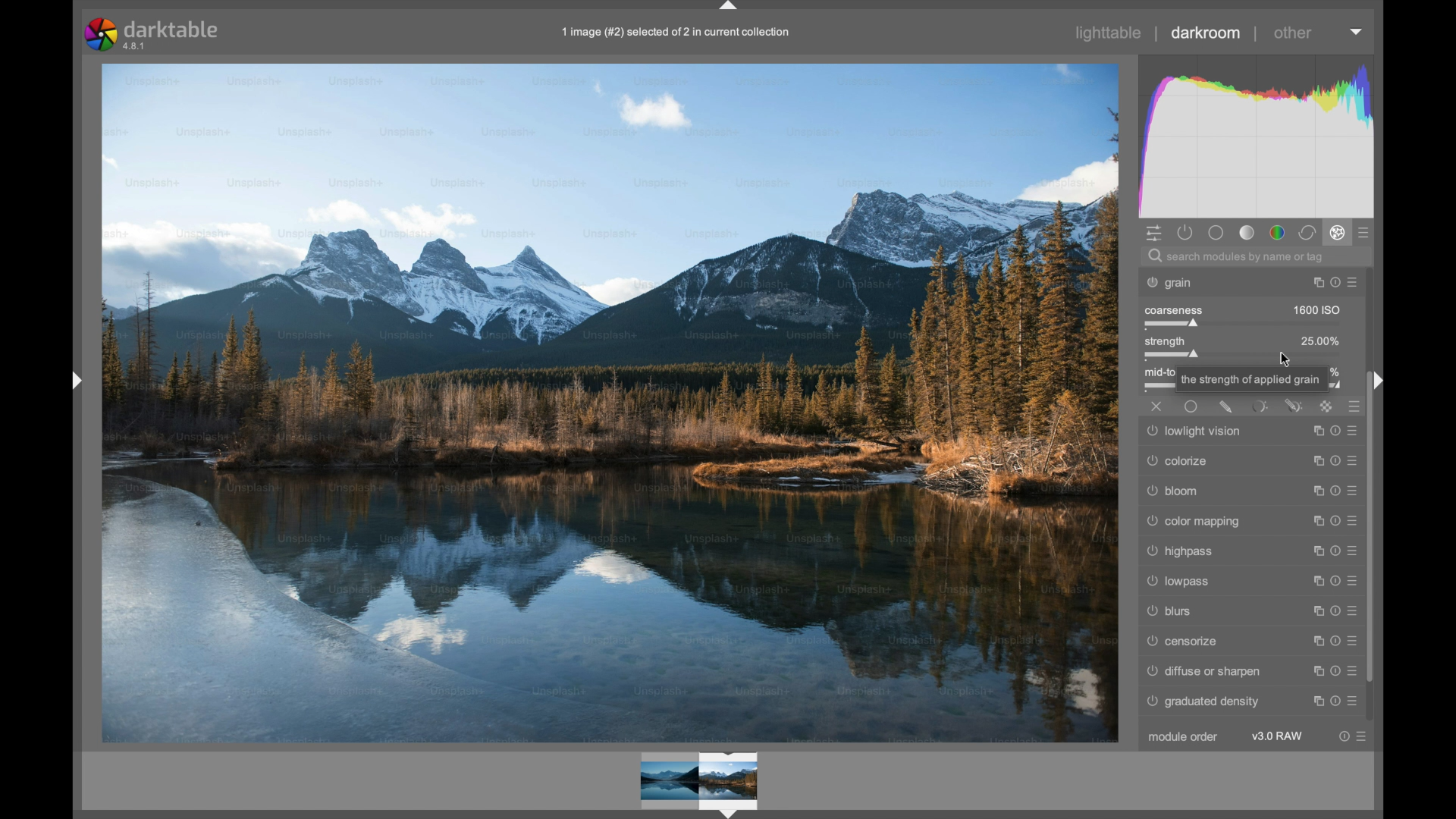 The height and width of the screenshot is (819, 1456). Describe the element at coordinates (1236, 256) in the screenshot. I see `search modules by name or tag` at that location.